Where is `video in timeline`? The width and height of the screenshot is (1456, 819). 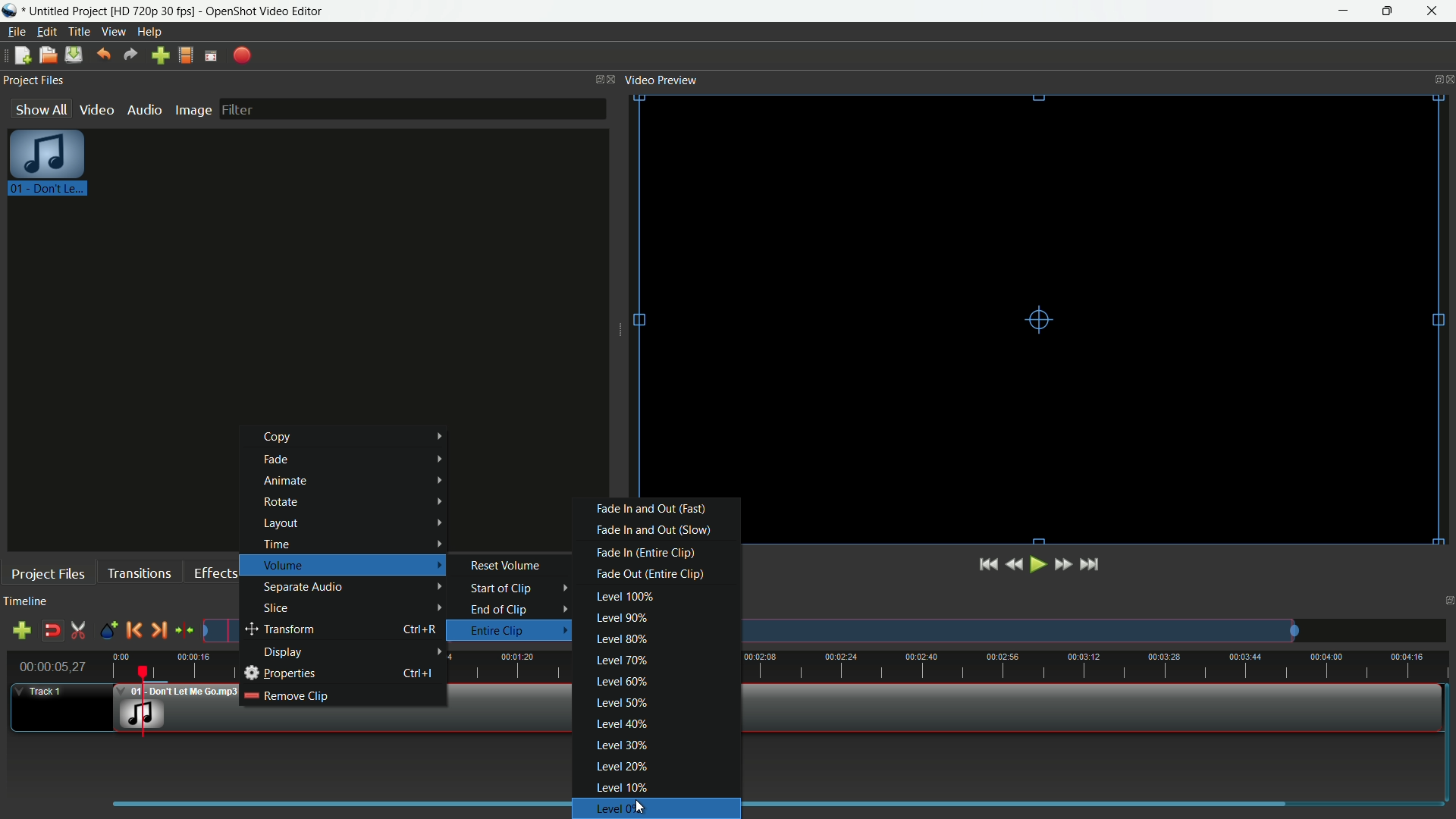 video in timeline is located at coordinates (1066, 708).